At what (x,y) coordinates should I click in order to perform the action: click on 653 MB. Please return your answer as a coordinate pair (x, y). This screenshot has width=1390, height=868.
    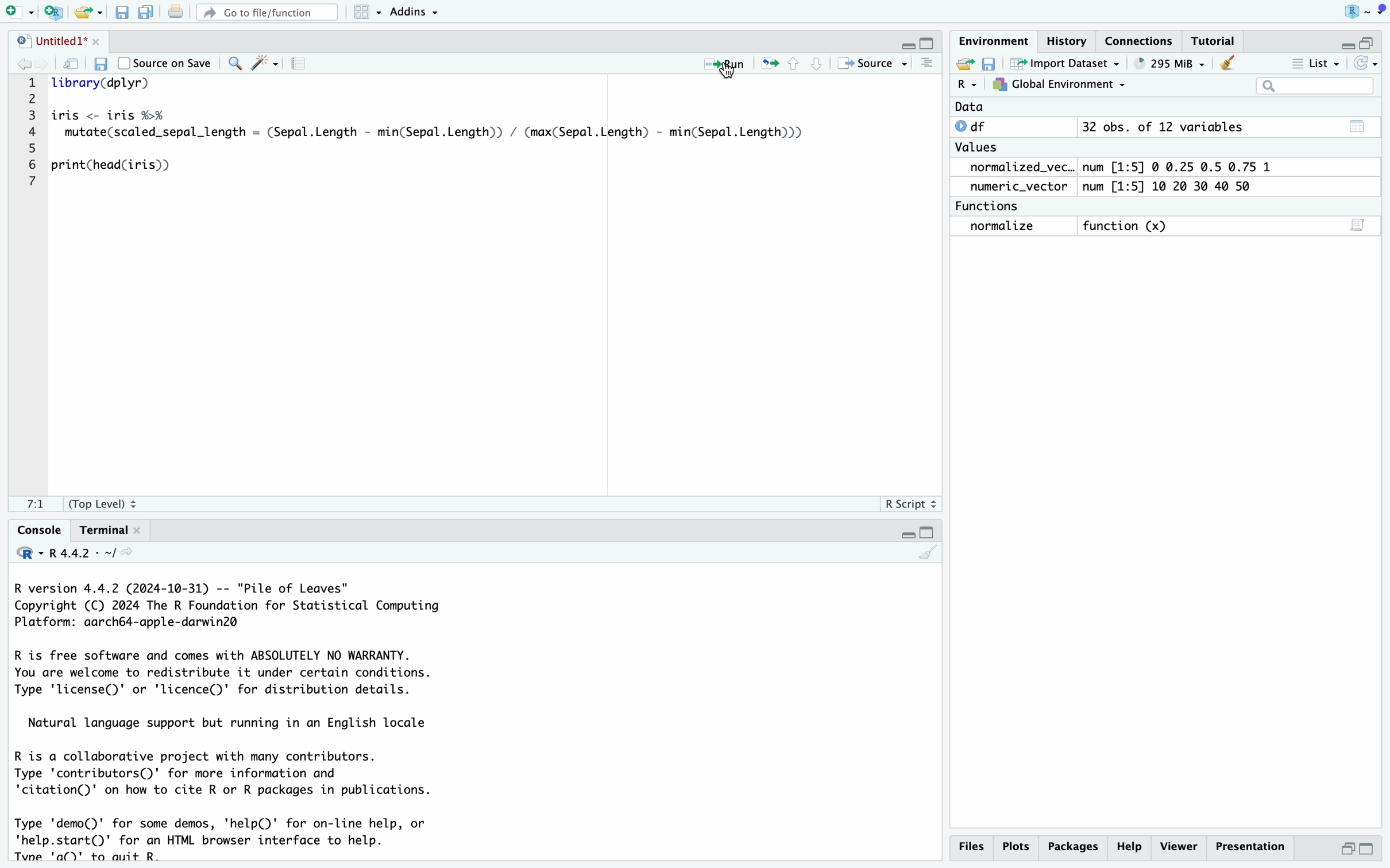
    Looking at the image, I should click on (1177, 63).